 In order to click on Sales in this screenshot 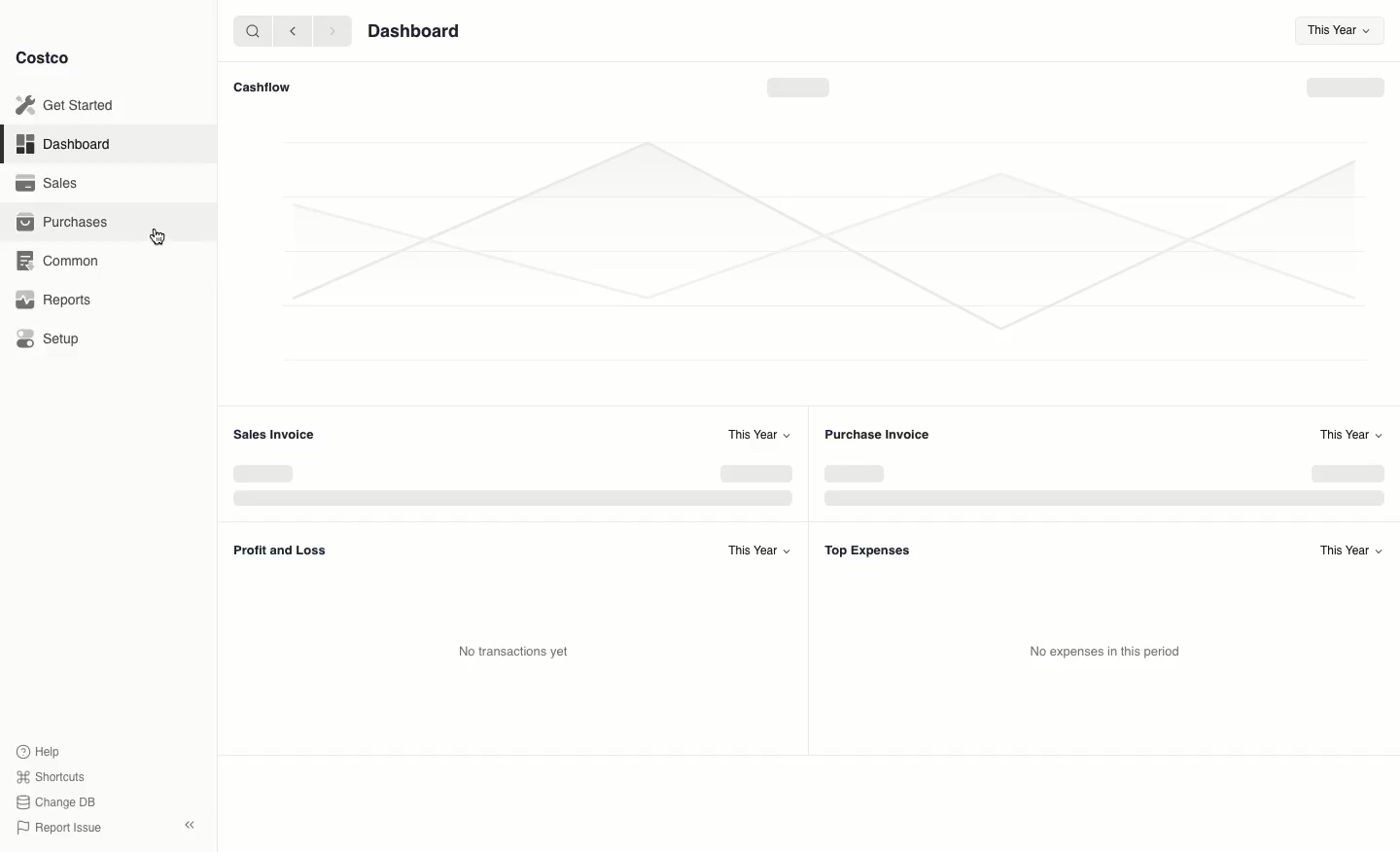, I will do `click(53, 183)`.